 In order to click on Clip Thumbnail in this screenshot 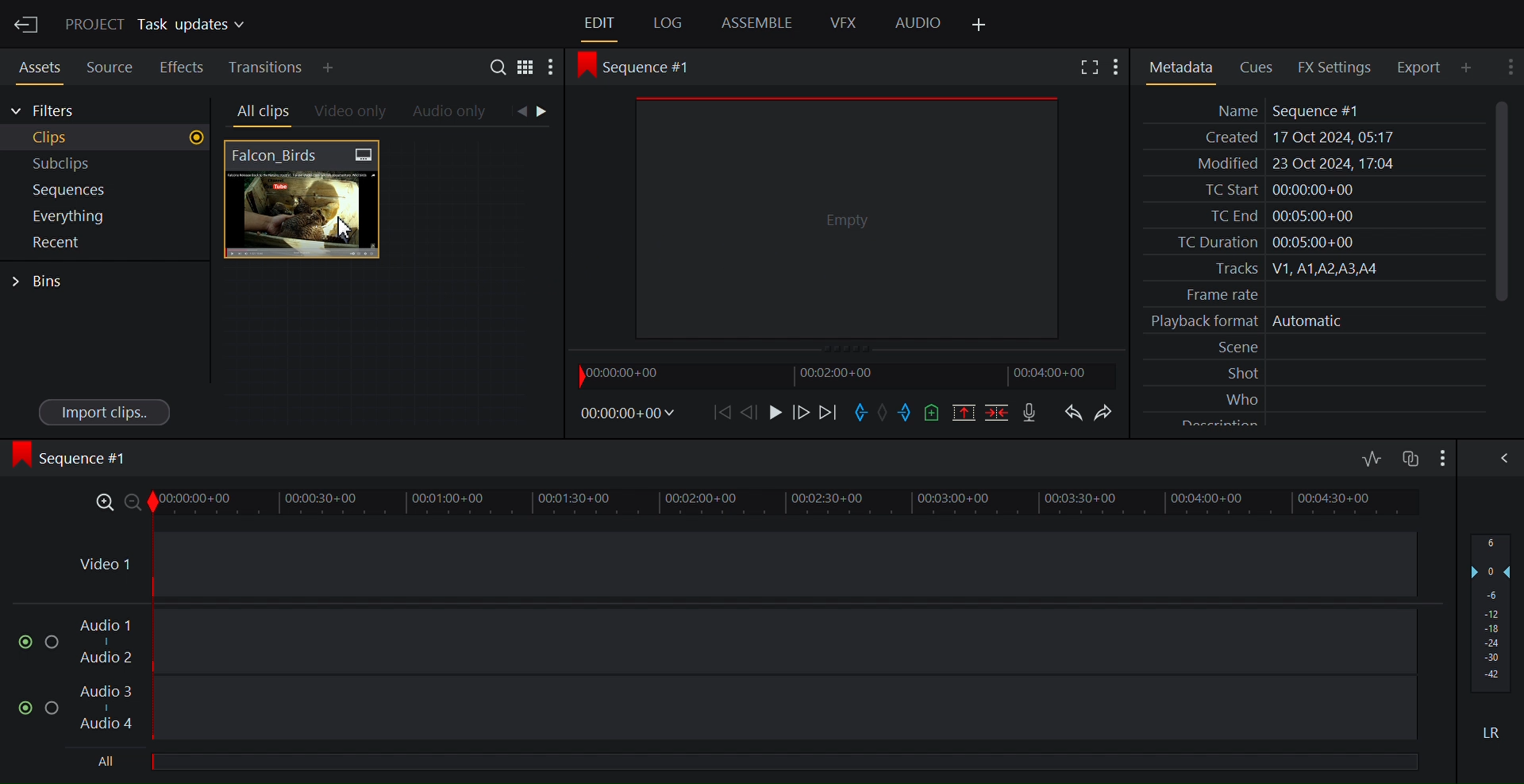, I will do `click(383, 285)`.